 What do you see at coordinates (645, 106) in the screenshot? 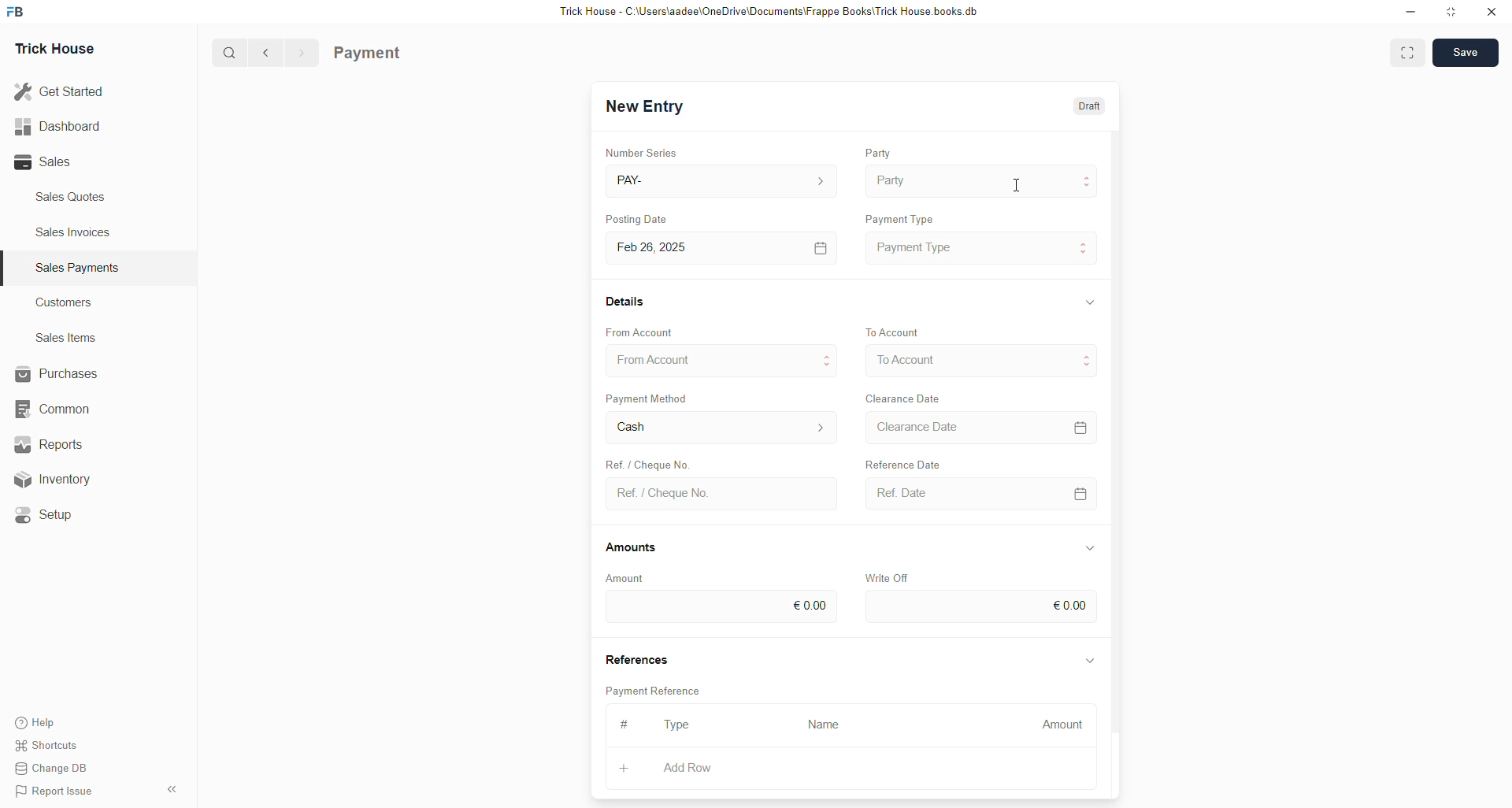
I see `New Entry` at bounding box center [645, 106].